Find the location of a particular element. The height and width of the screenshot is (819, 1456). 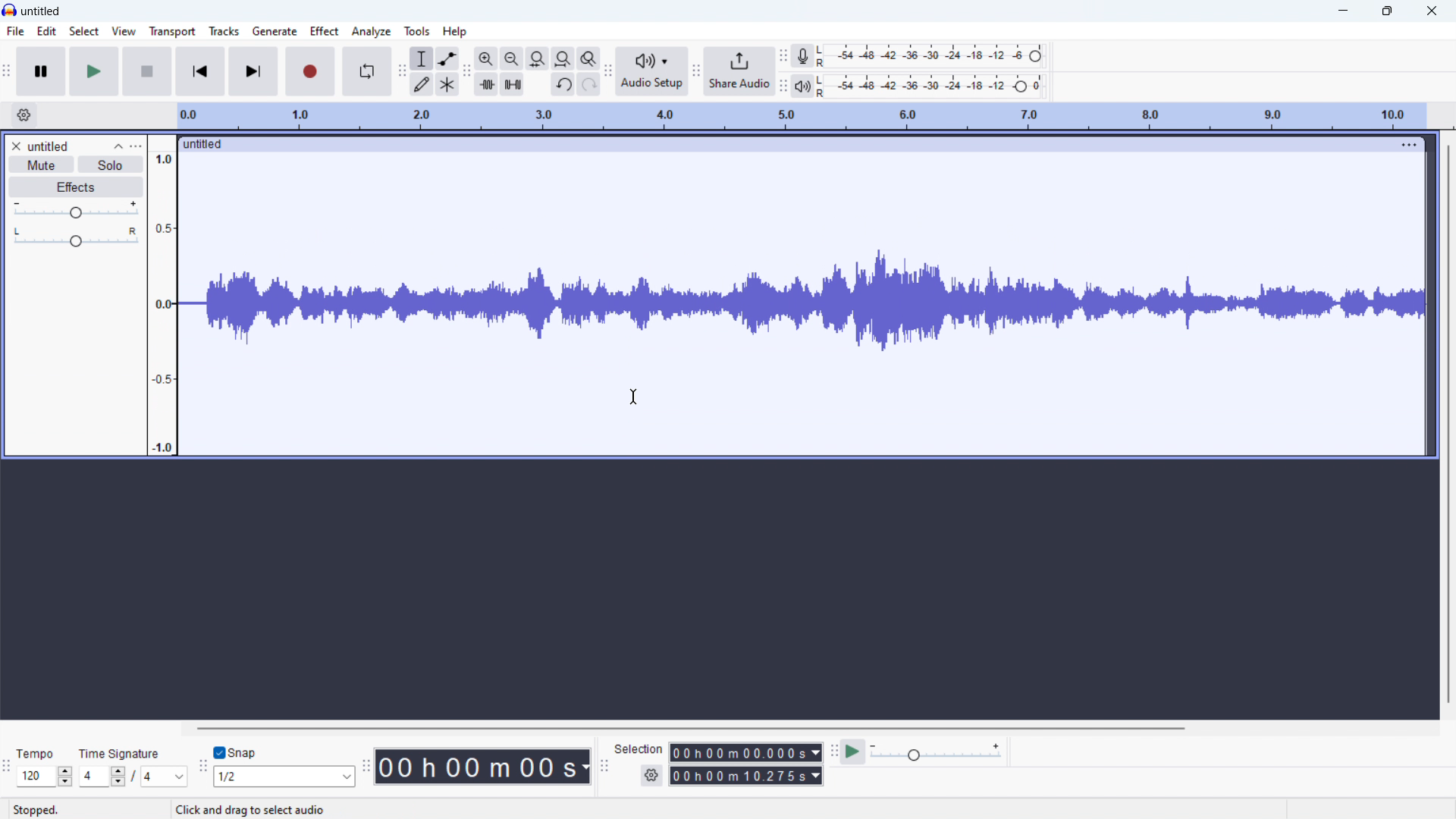

enable loop is located at coordinates (367, 71).